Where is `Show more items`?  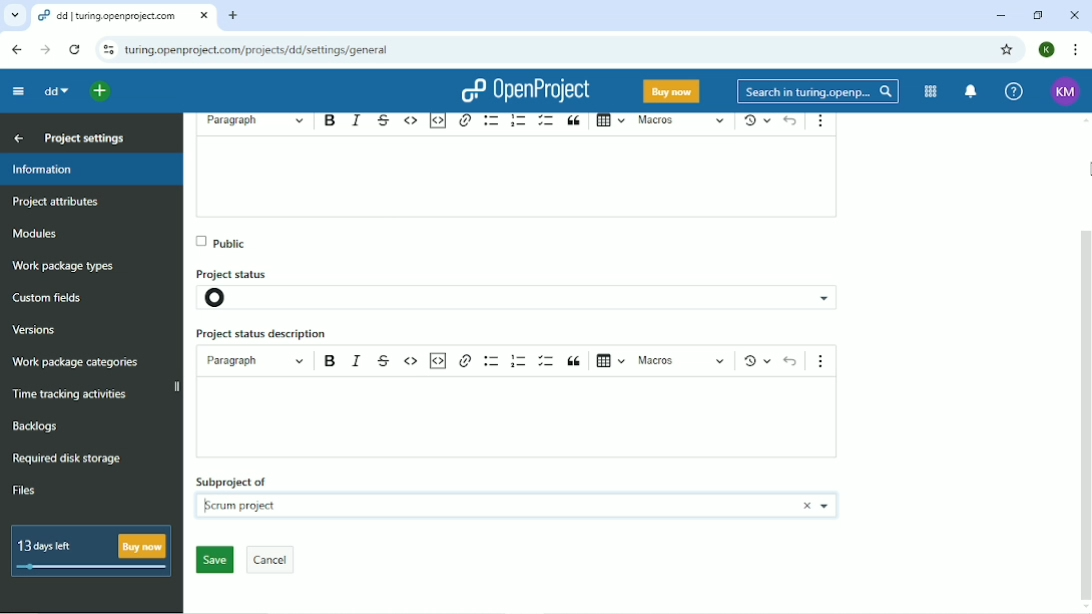
Show more items is located at coordinates (820, 122).